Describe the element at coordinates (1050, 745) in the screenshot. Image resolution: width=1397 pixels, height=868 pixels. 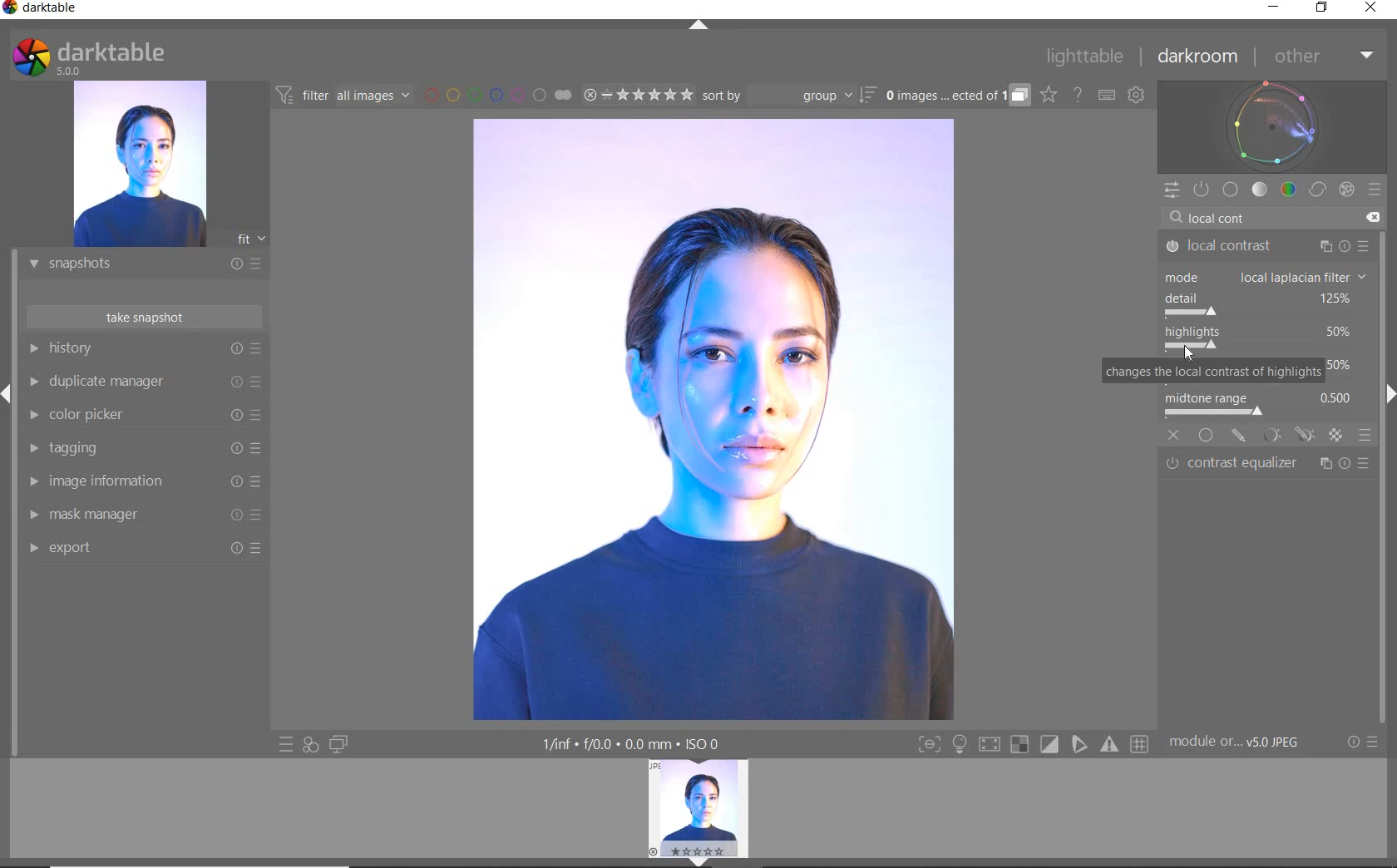
I see `Button` at that location.